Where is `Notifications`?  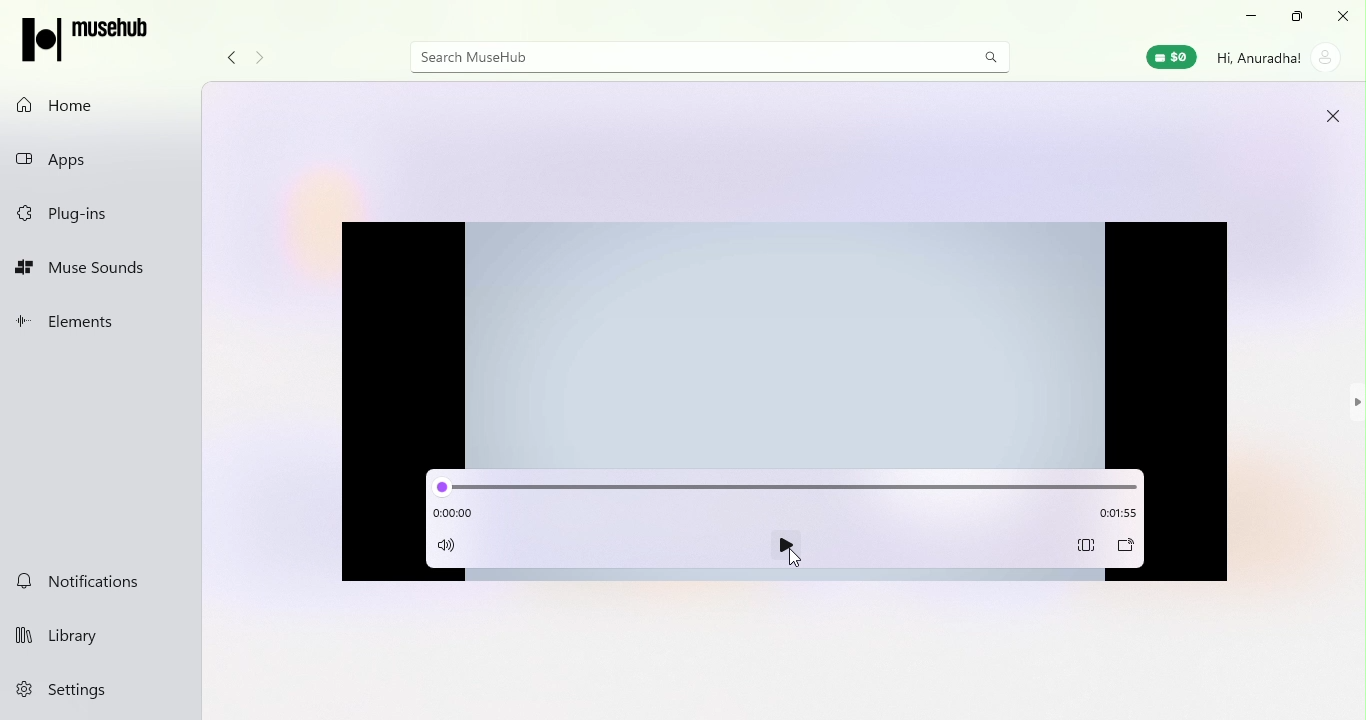
Notifications is located at coordinates (98, 583).